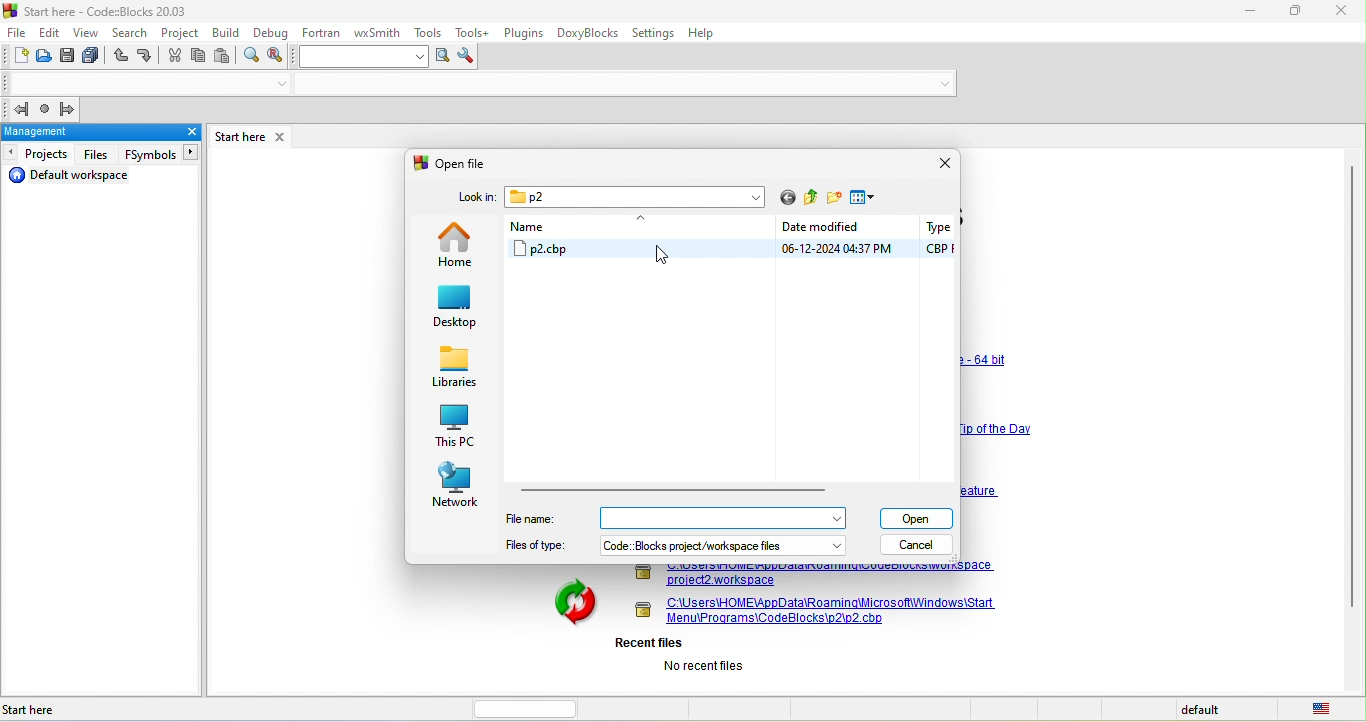 Image resolution: width=1366 pixels, height=722 pixels. What do you see at coordinates (83, 132) in the screenshot?
I see `management` at bounding box center [83, 132].